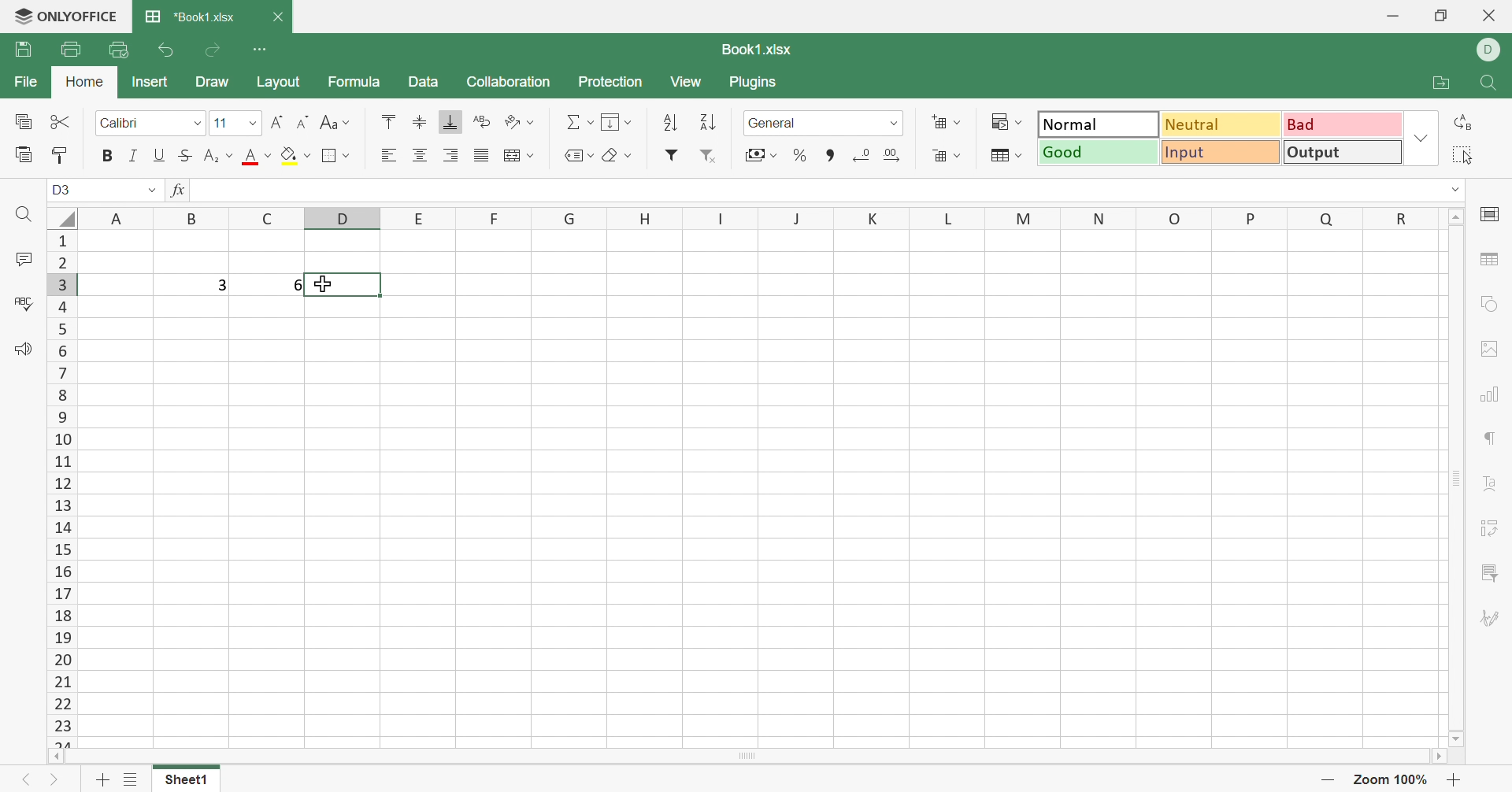 The height and width of the screenshot is (792, 1512). Describe the element at coordinates (160, 157) in the screenshot. I see `Underline` at that location.